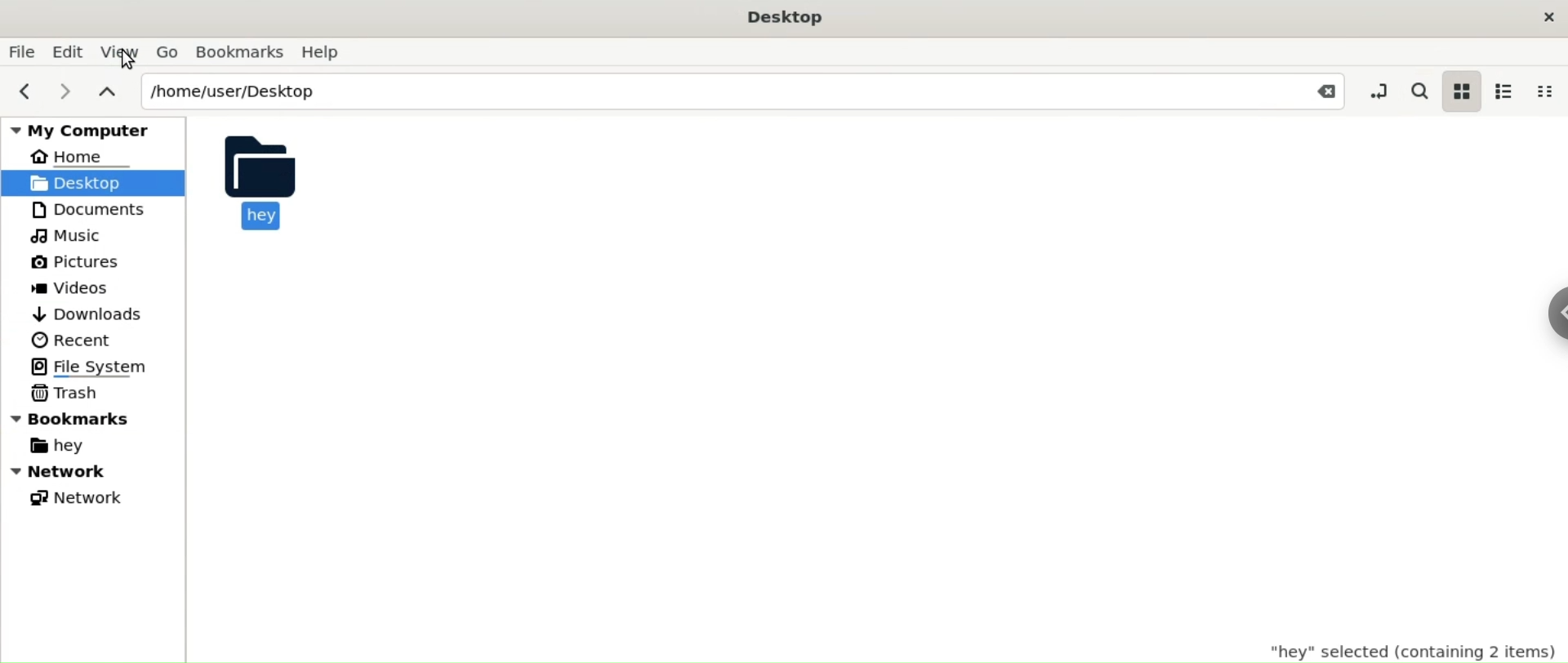 The height and width of the screenshot is (663, 1568). I want to click on Network, so click(77, 500).